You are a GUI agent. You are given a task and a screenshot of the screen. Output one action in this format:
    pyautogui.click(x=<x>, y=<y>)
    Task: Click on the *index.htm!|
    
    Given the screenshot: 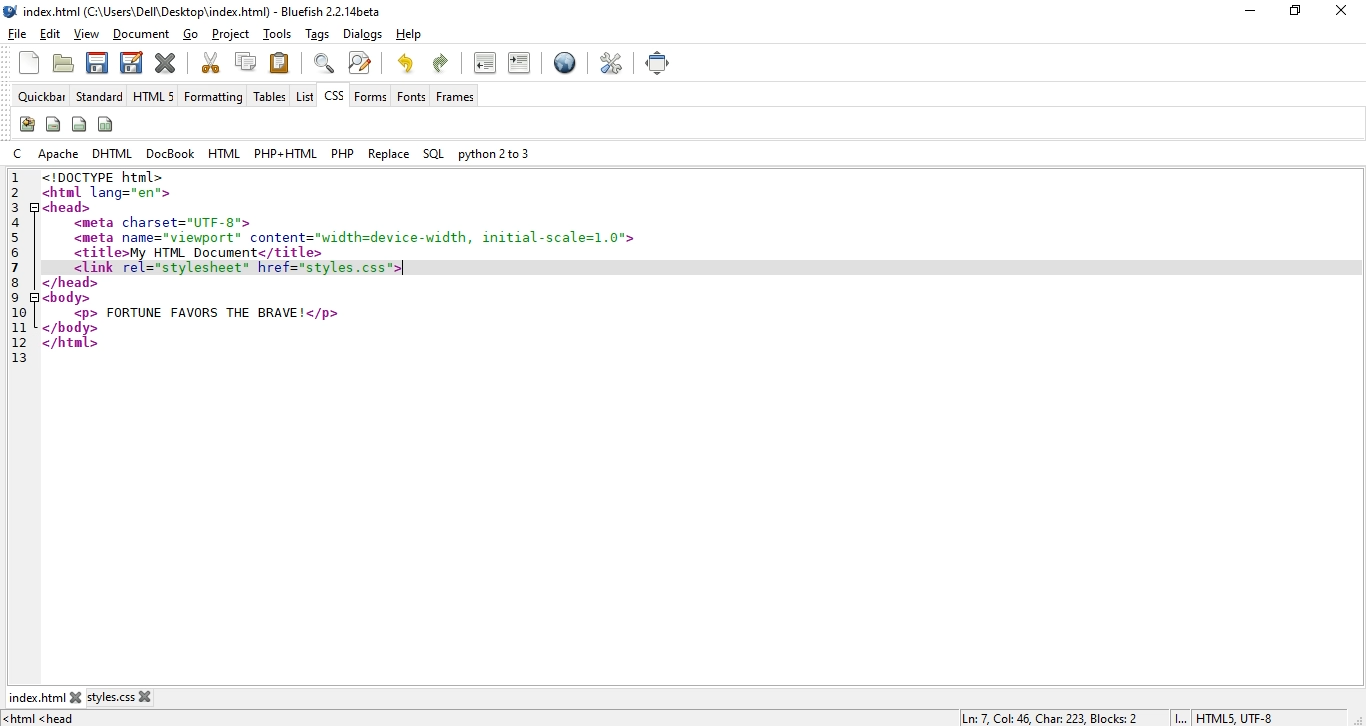 What is the action you would take?
    pyautogui.click(x=40, y=697)
    